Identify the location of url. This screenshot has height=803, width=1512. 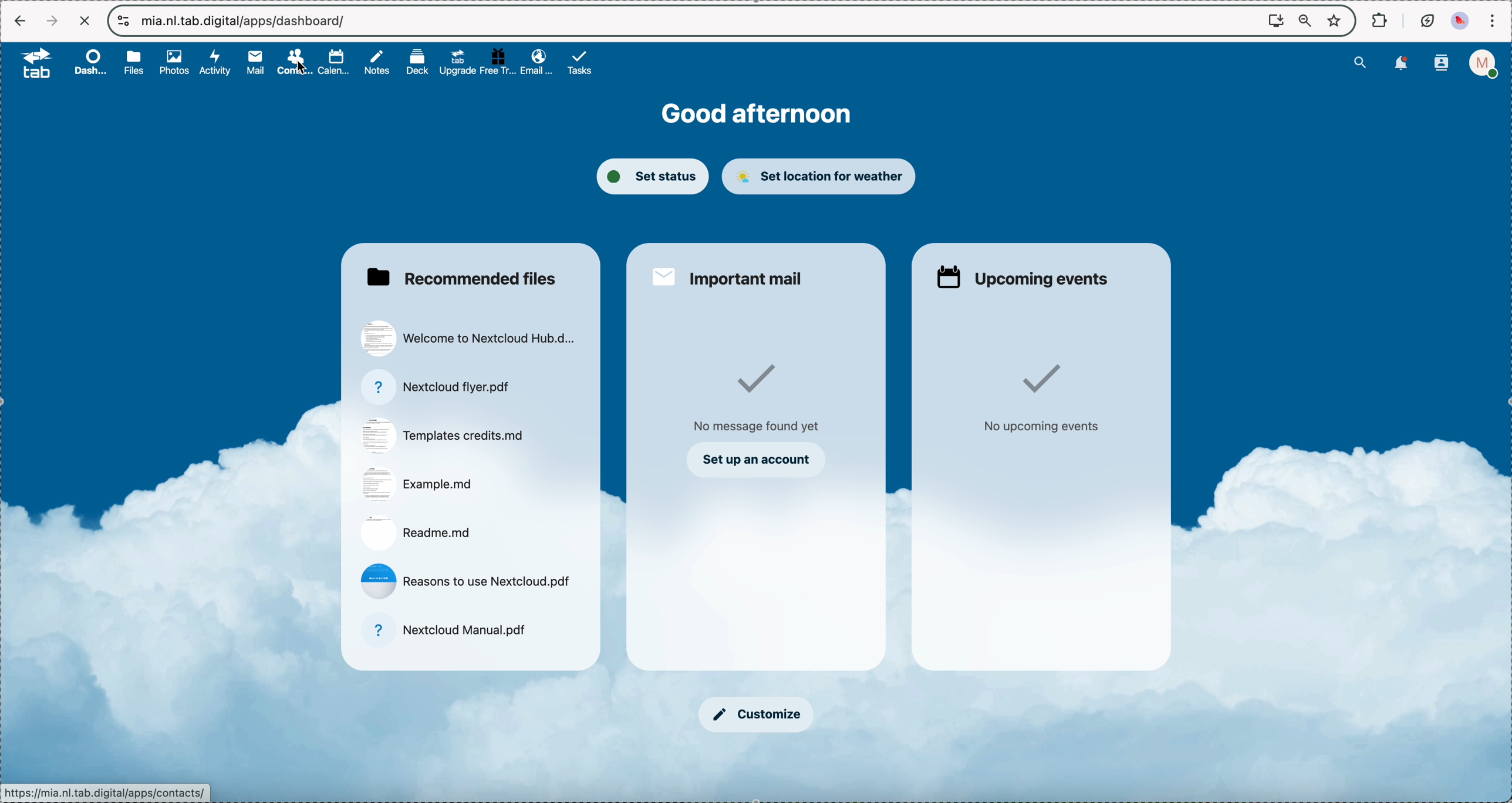
(247, 22).